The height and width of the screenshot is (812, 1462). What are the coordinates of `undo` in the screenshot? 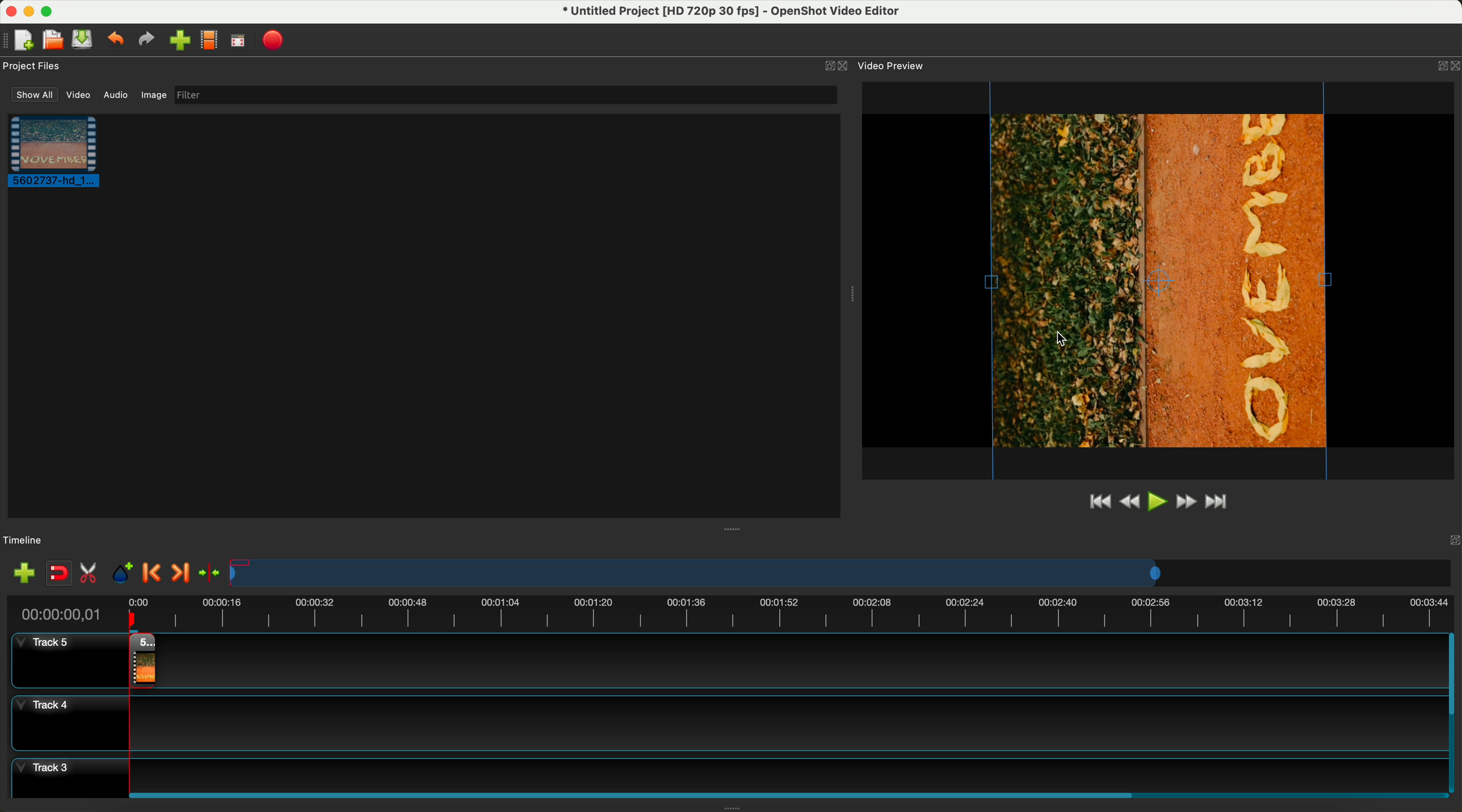 It's located at (116, 40).